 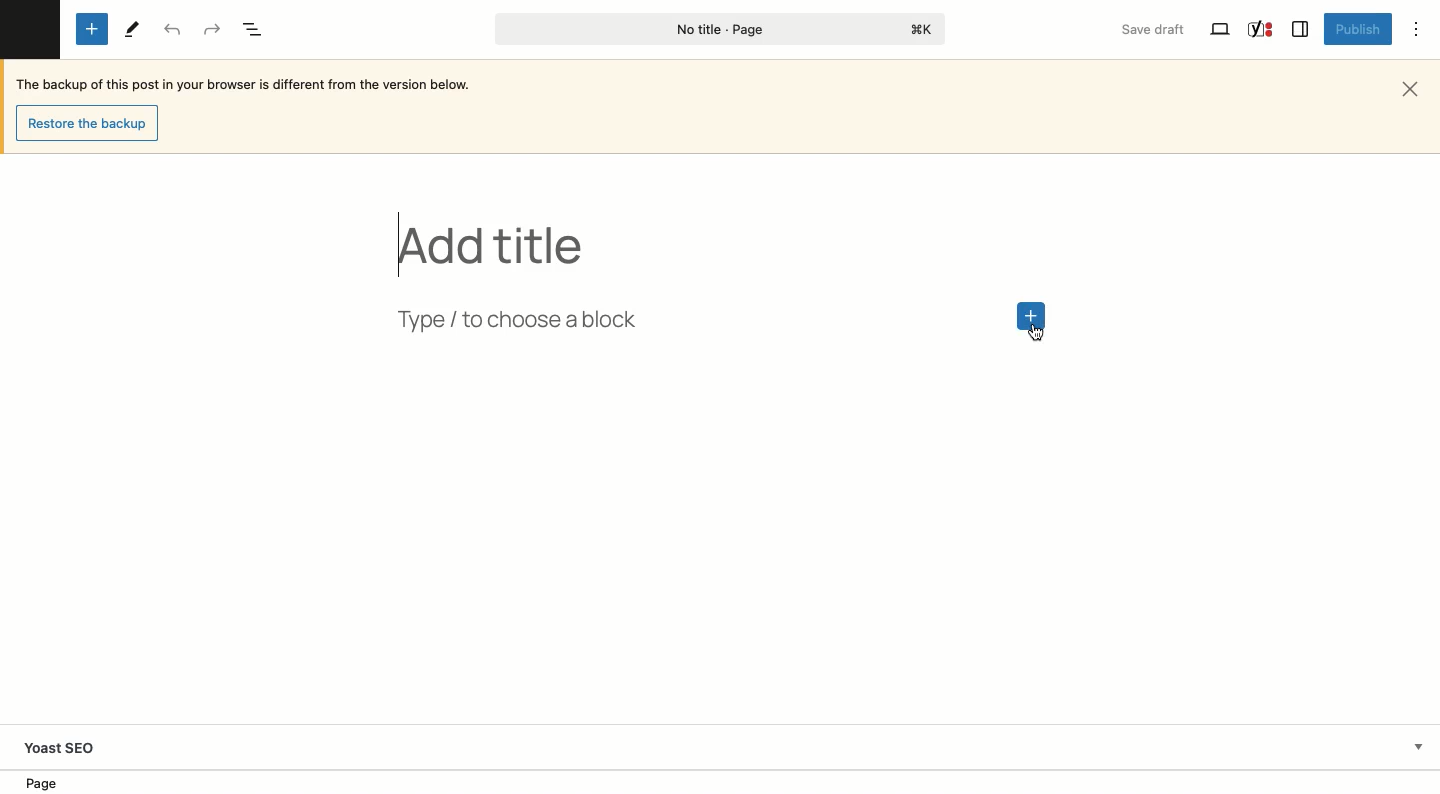 I want to click on Document overview, so click(x=256, y=29).